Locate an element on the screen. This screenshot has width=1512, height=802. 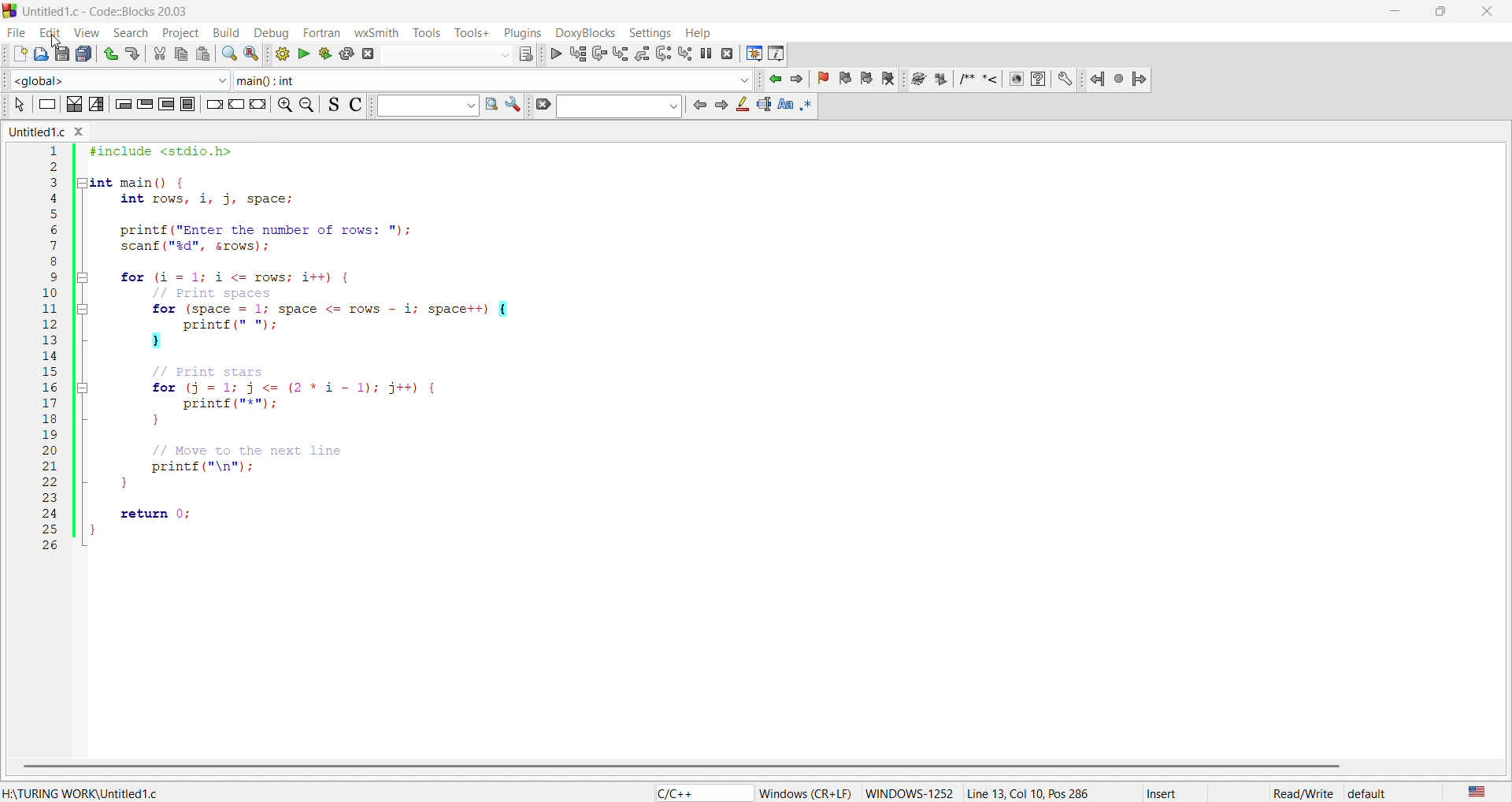
cut is located at coordinates (156, 54).